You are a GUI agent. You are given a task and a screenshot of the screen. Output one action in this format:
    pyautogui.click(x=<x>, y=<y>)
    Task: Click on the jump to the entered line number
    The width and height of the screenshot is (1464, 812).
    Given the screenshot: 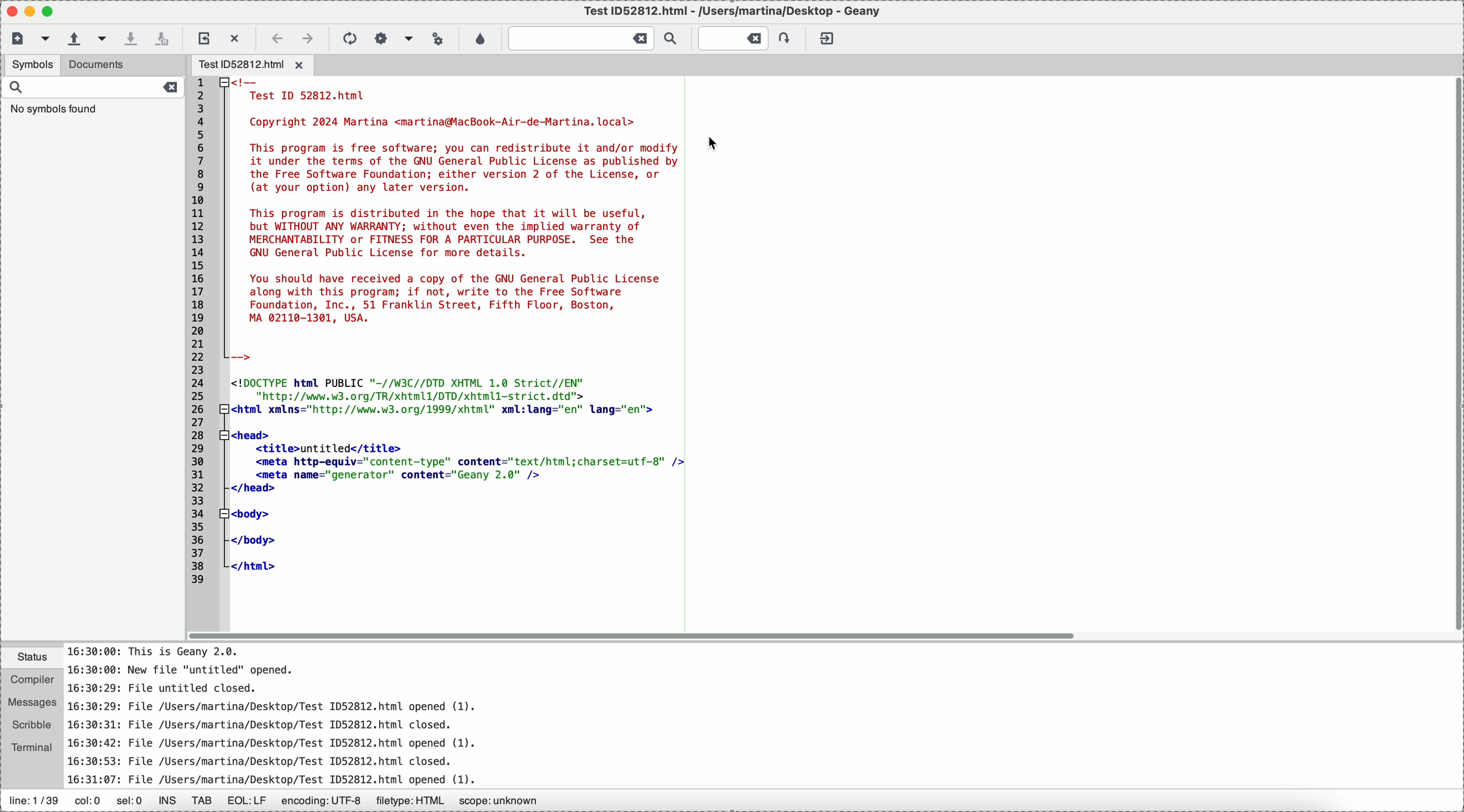 What is the action you would take?
    pyautogui.click(x=740, y=38)
    